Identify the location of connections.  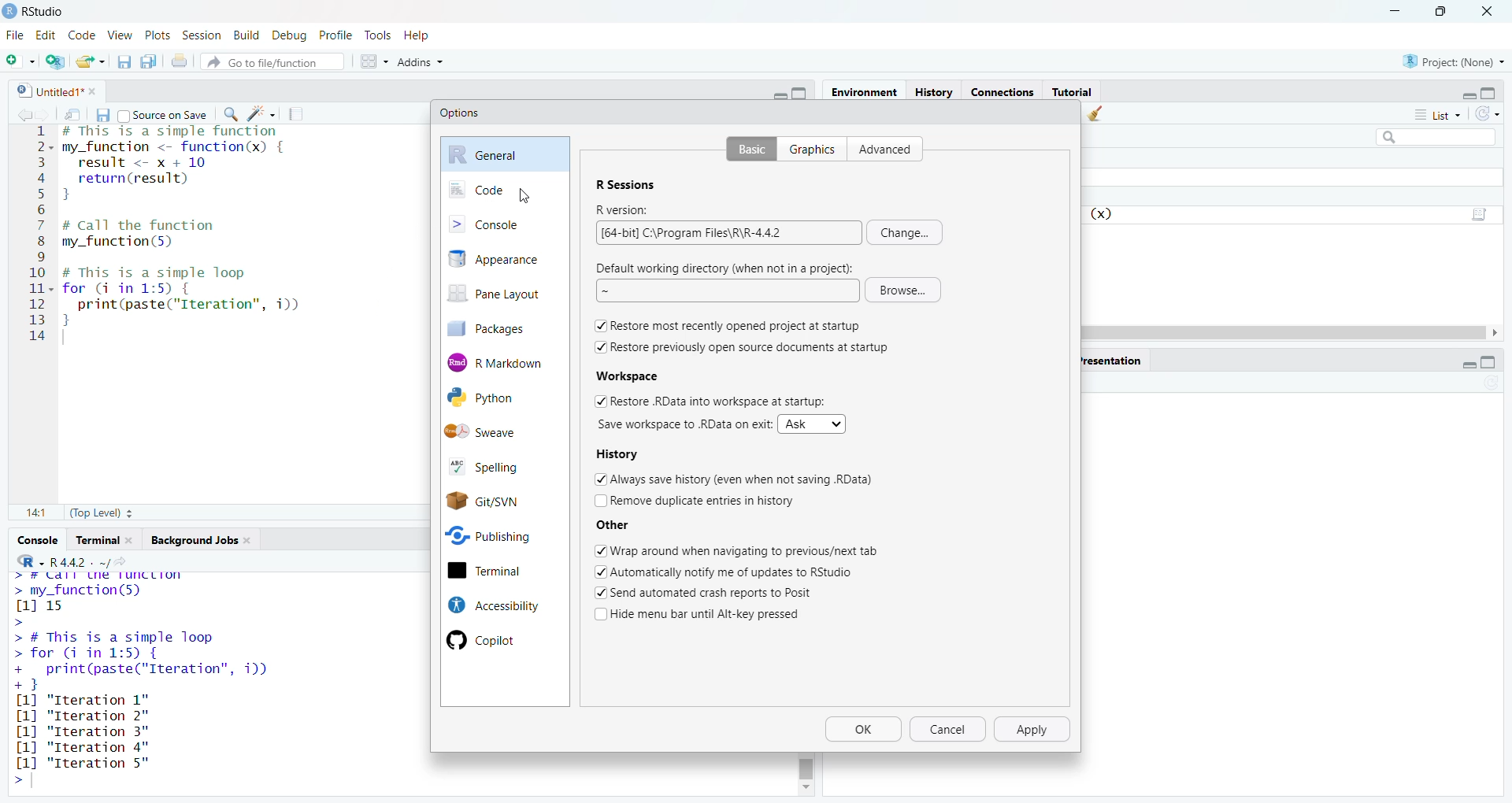
(1001, 90).